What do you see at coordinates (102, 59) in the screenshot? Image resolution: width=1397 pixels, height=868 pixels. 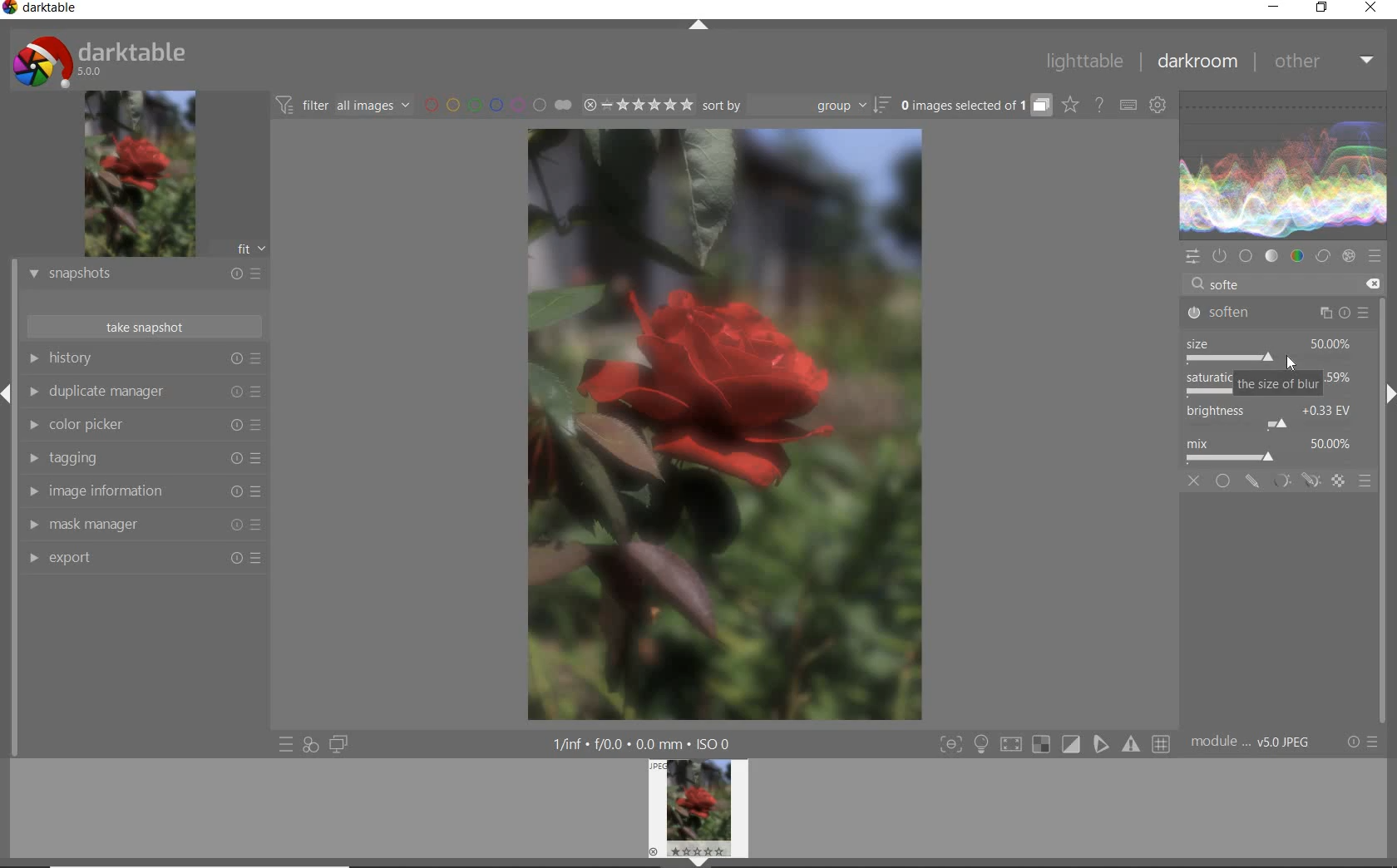 I see `system logo` at bounding box center [102, 59].